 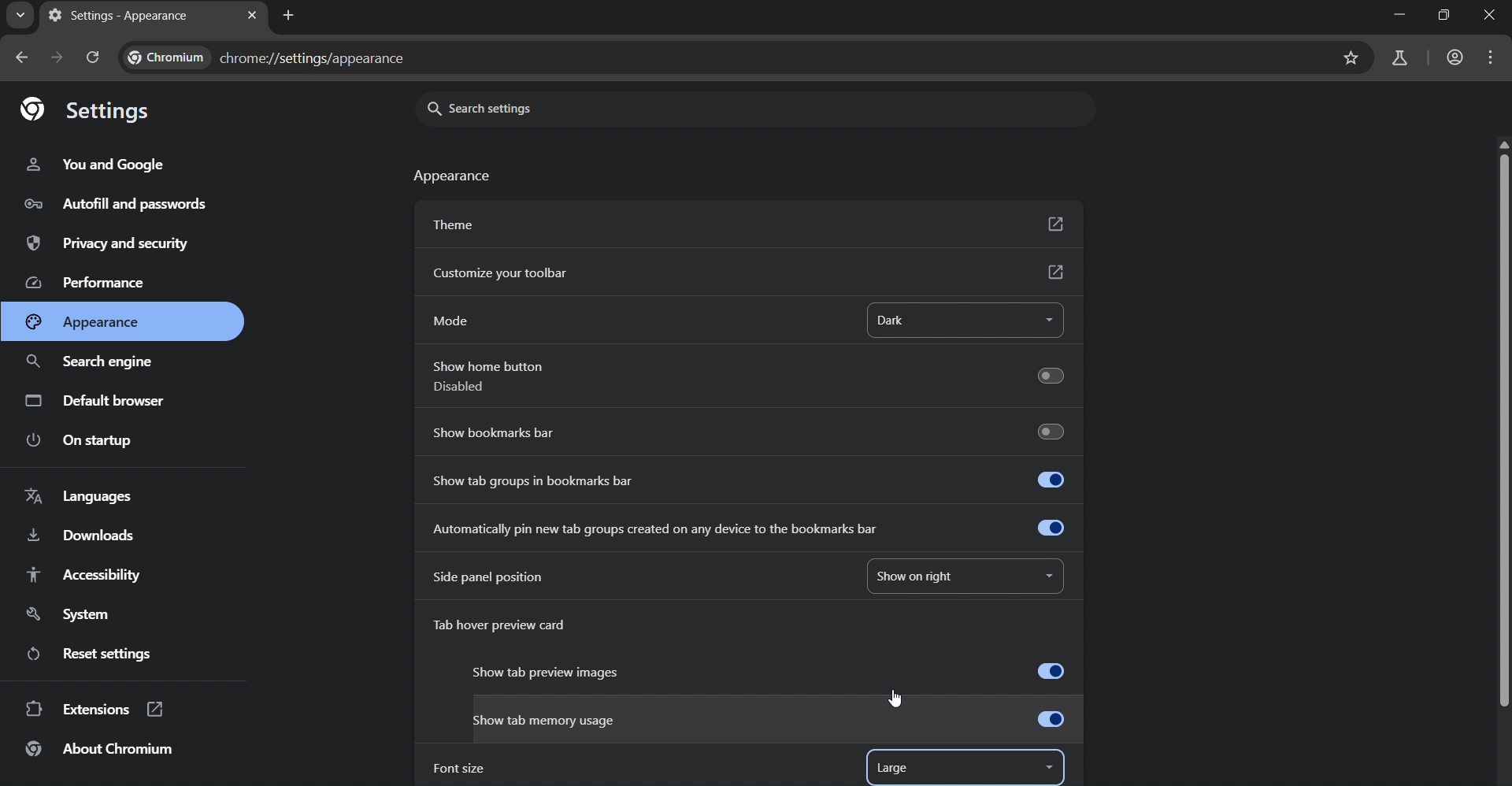 I want to click on new tab, so click(x=289, y=17).